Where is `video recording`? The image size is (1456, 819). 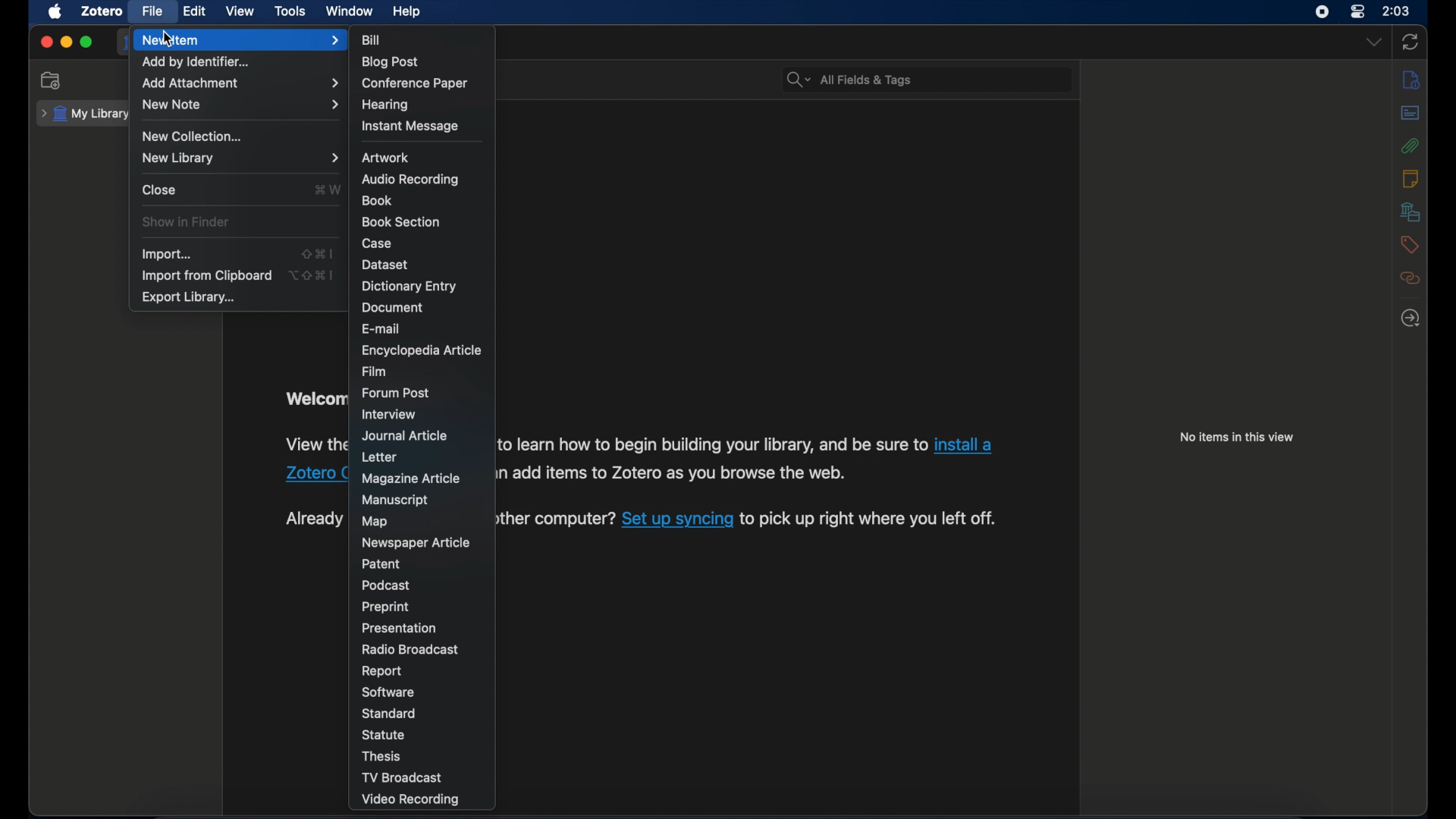
video recording is located at coordinates (409, 800).